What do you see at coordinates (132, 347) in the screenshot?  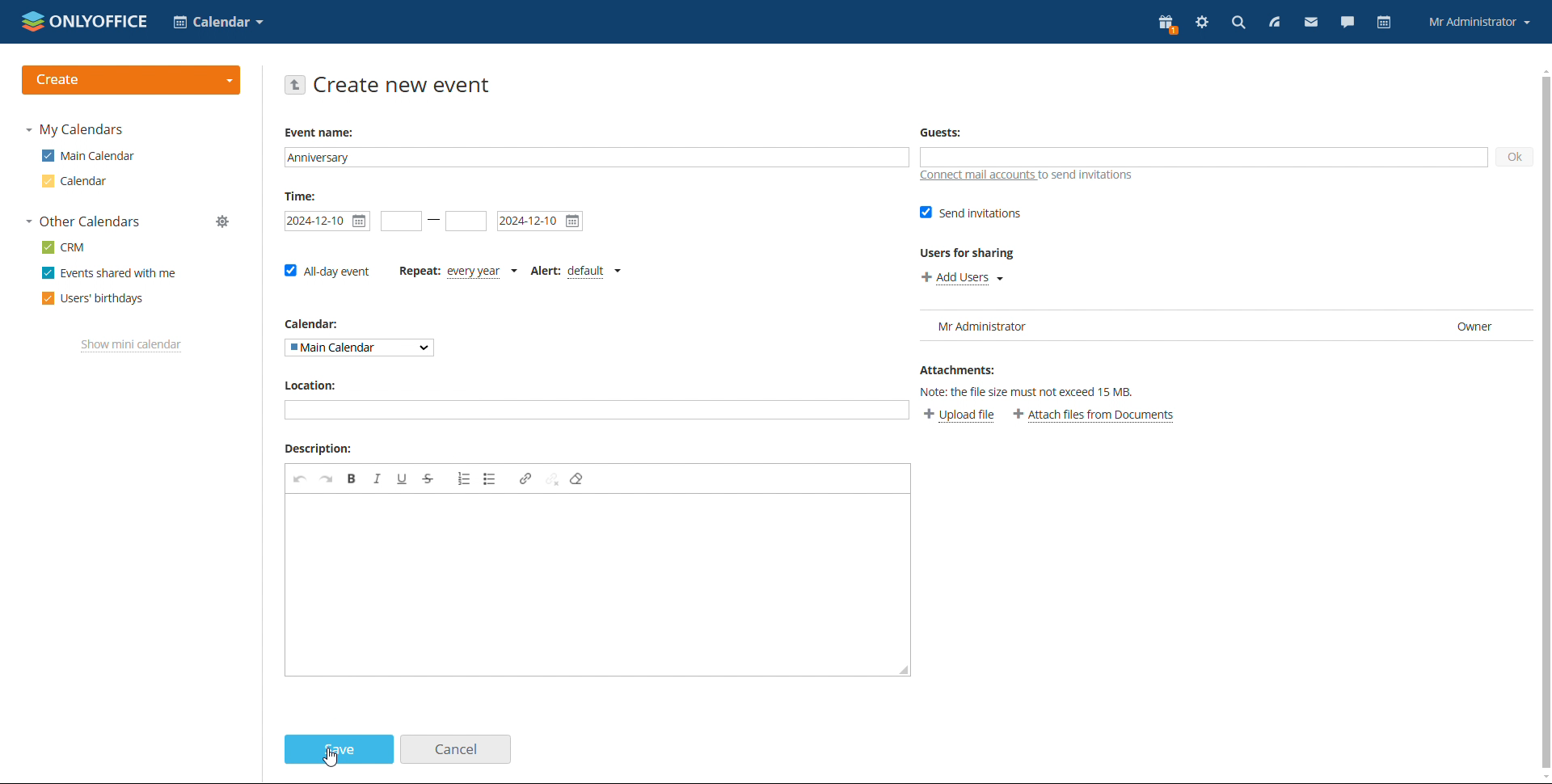 I see `show mini calendar` at bounding box center [132, 347].